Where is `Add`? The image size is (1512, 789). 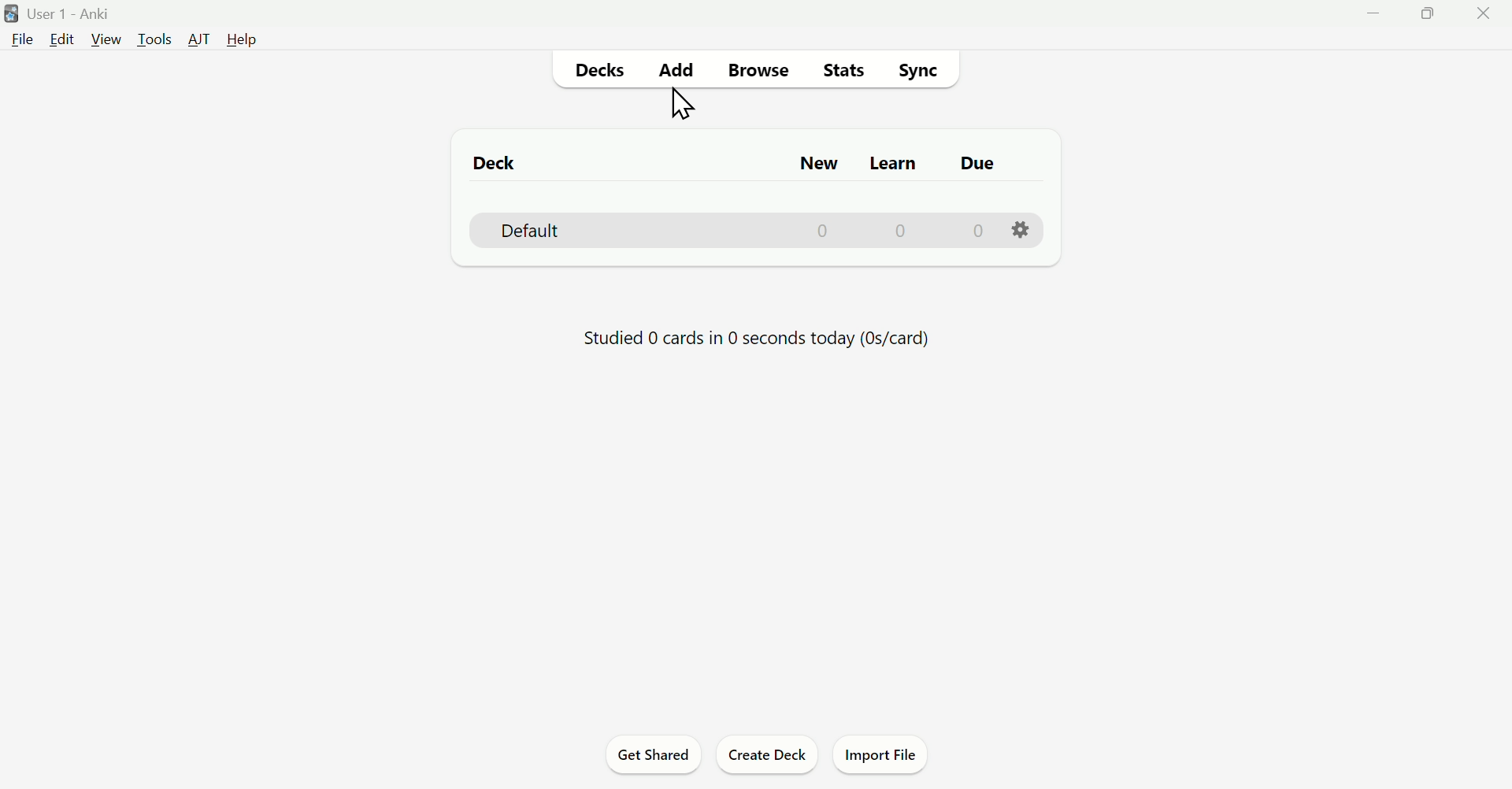 Add is located at coordinates (677, 68).